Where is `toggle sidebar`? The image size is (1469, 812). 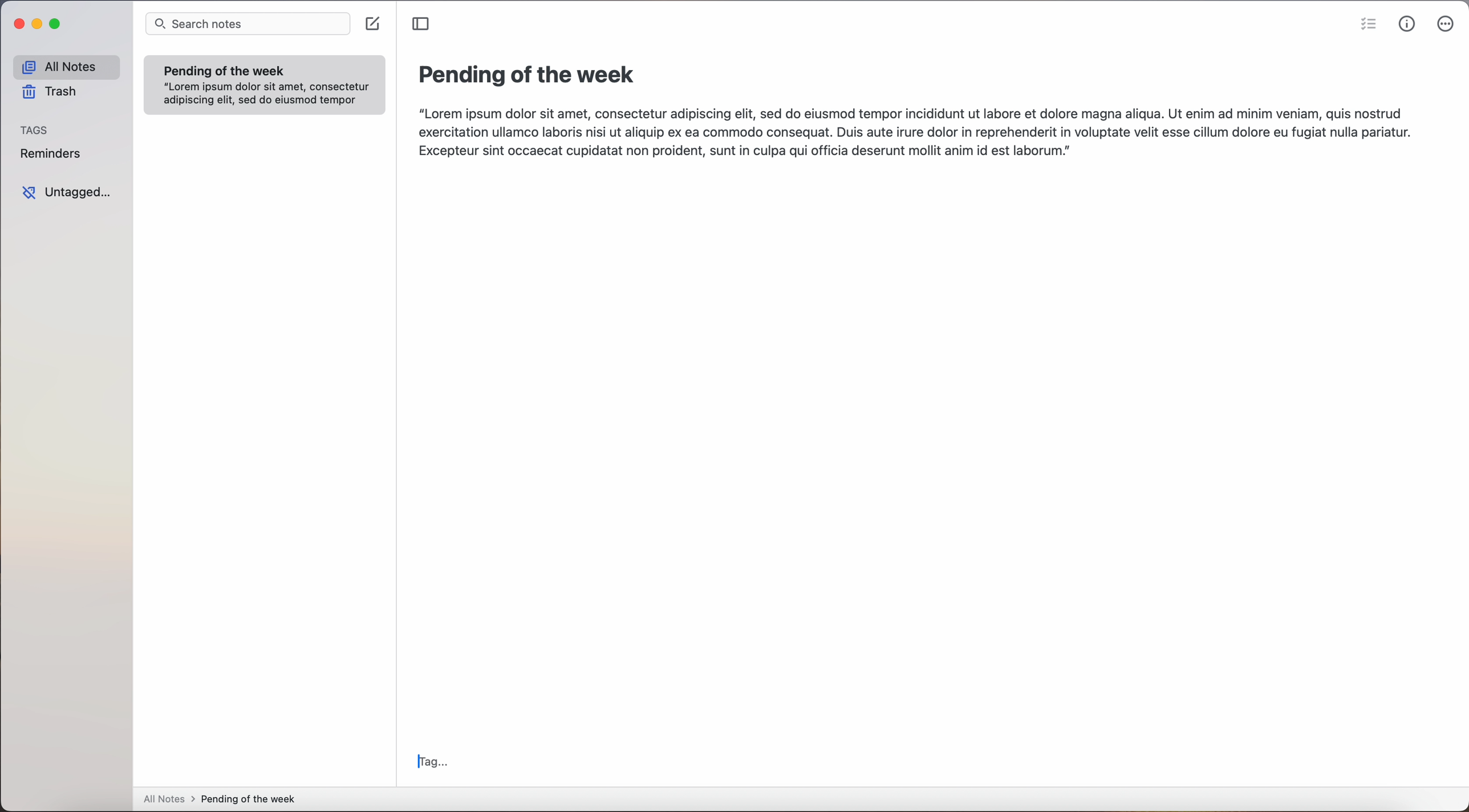
toggle sidebar is located at coordinates (423, 24).